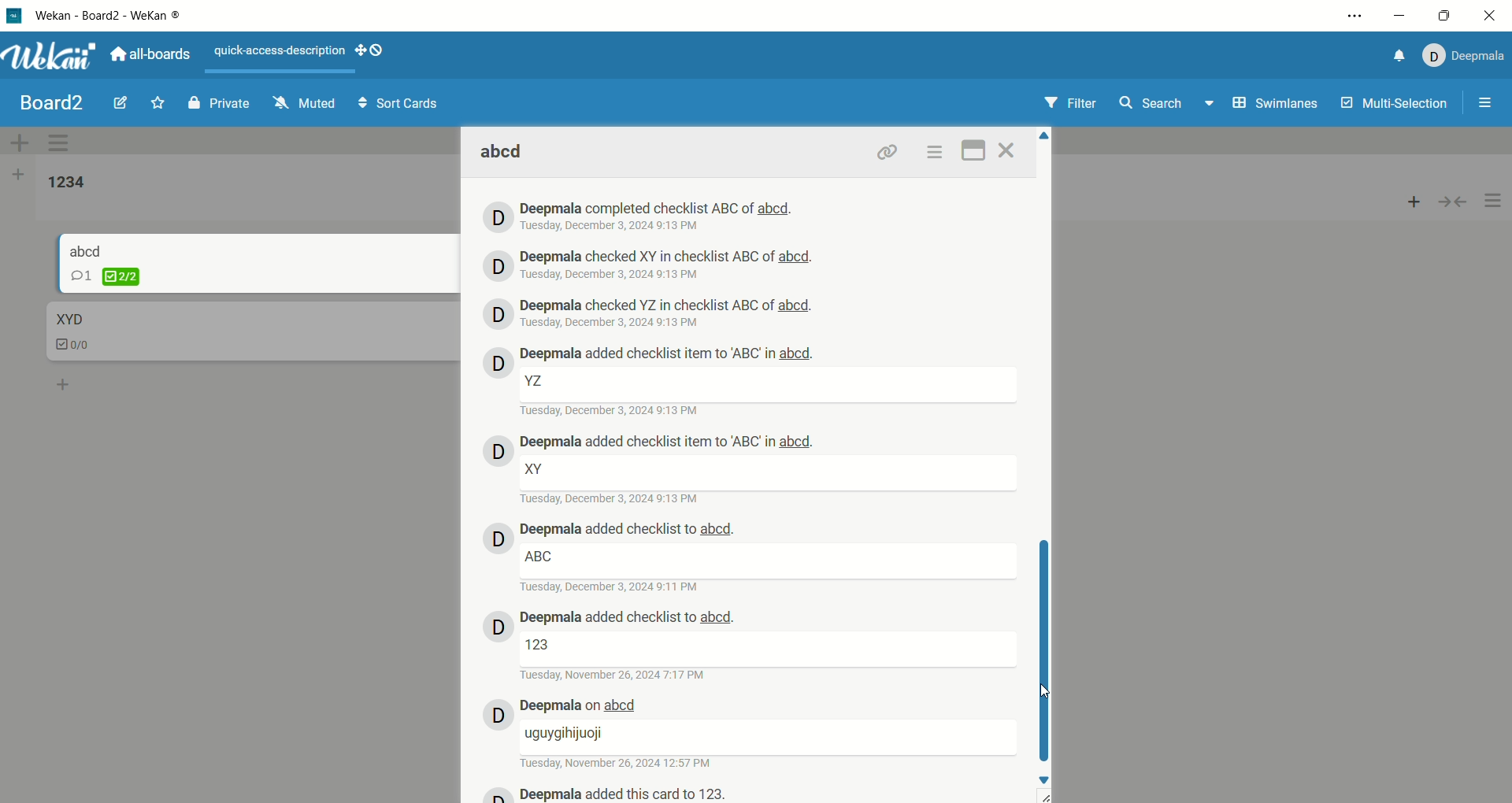  Describe the element at coordinates (1357, 16) in the screenshot. I see `options` at that location.